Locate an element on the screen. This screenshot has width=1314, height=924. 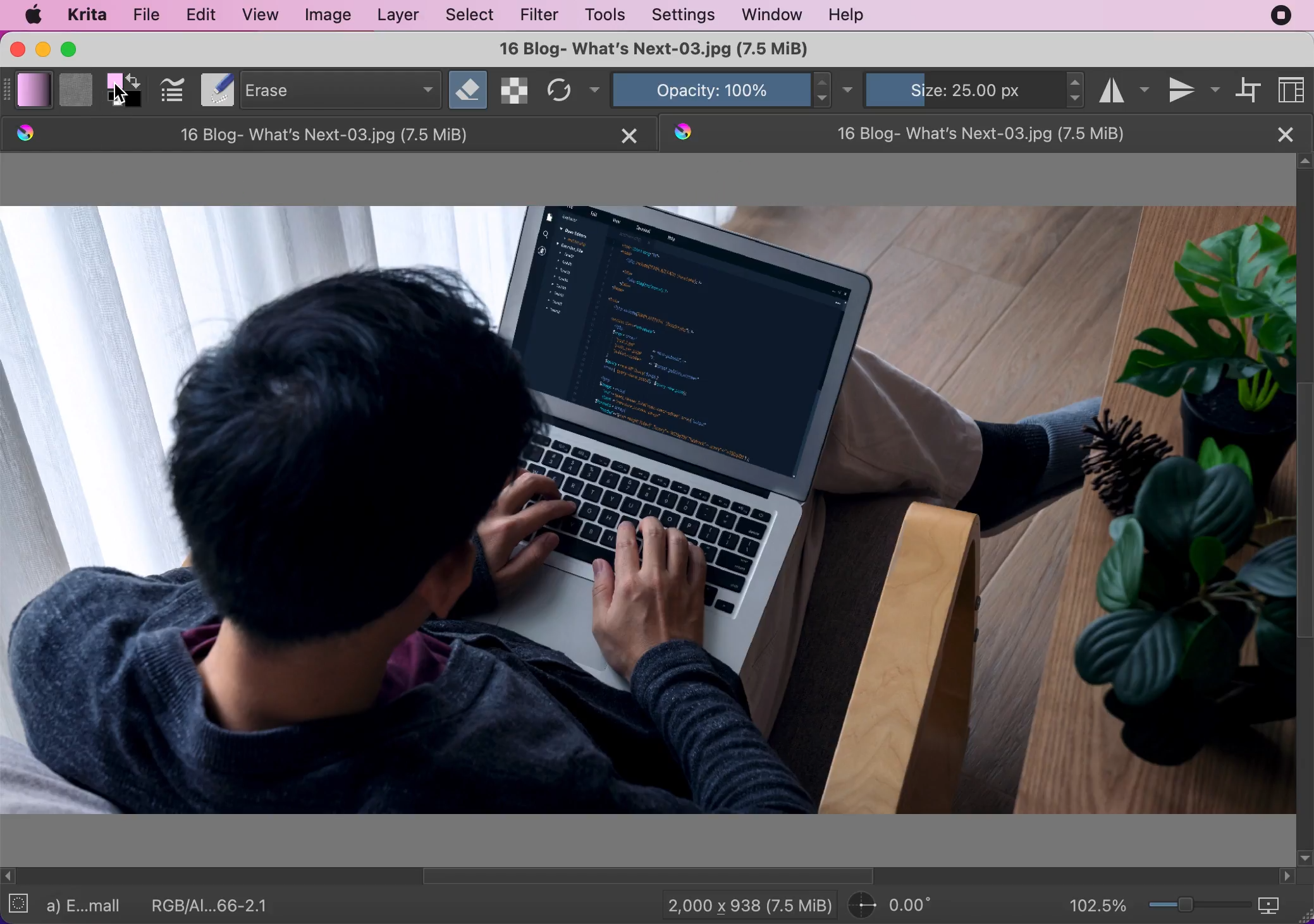
opacity: 100% is located at coordinates (707, 89).